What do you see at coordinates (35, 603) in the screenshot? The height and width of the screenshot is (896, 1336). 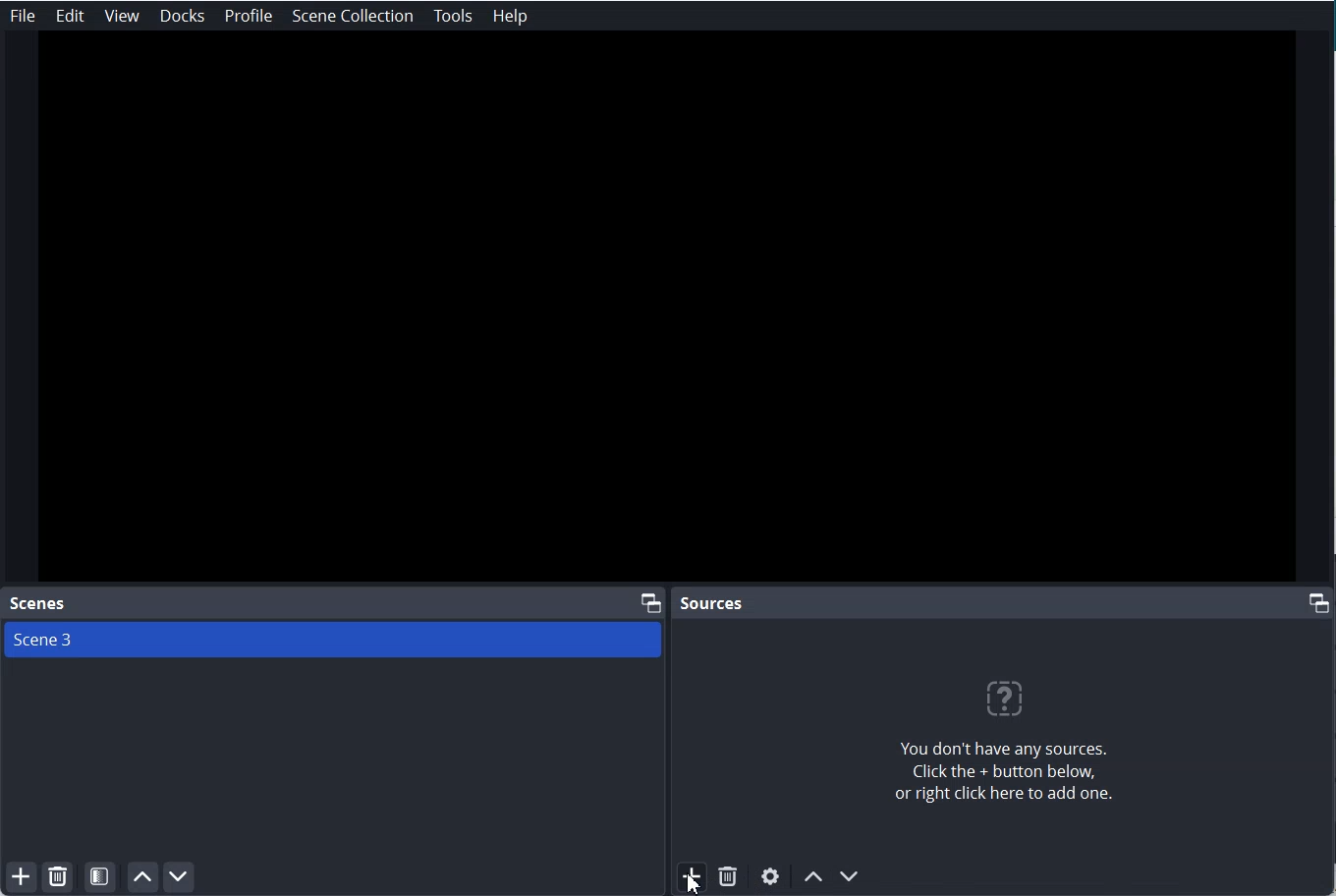 I see `Scenes` at bounding box center [35, 603].